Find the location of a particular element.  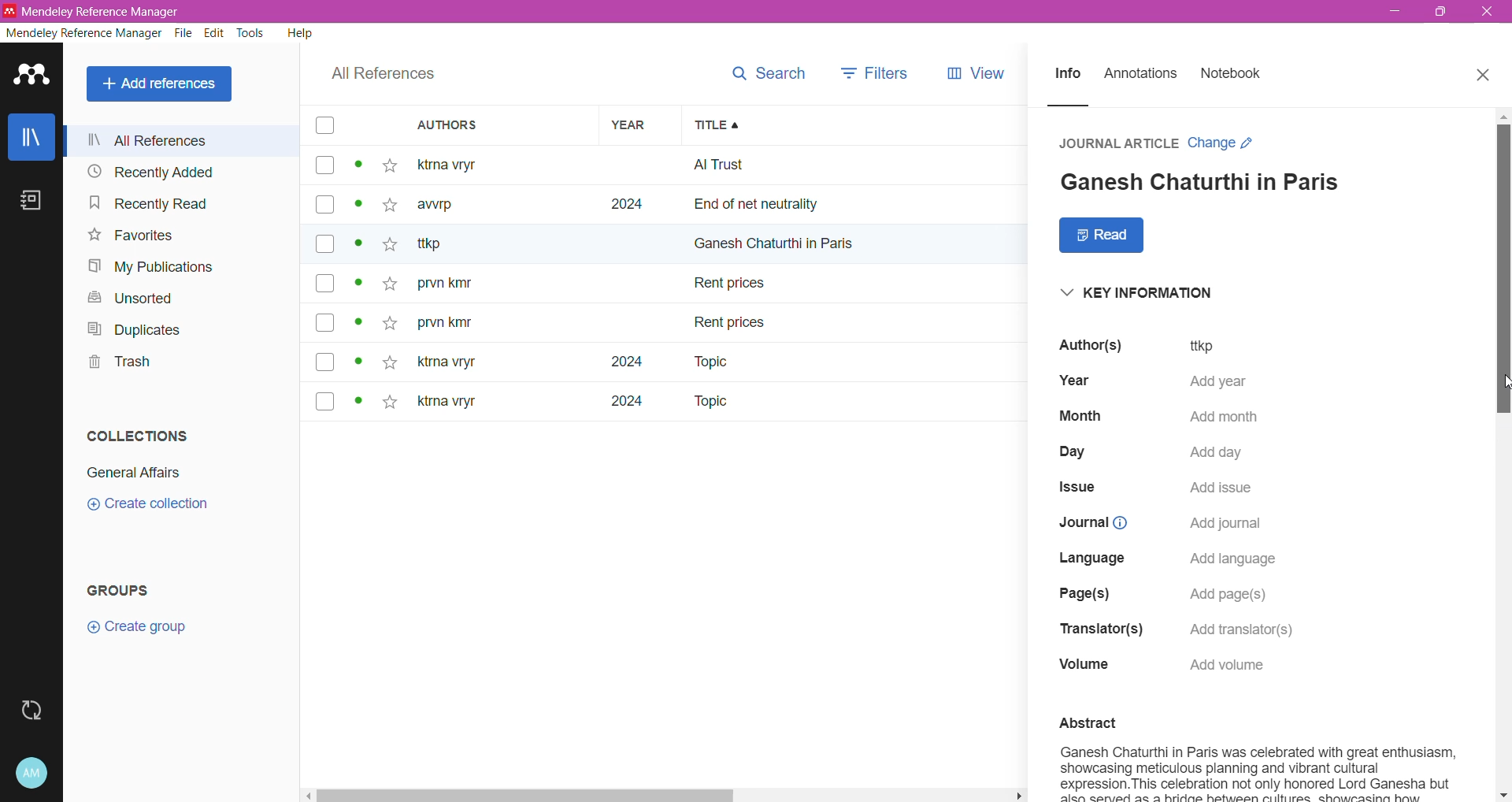

Application Logo is located at coordinates (31, 76).